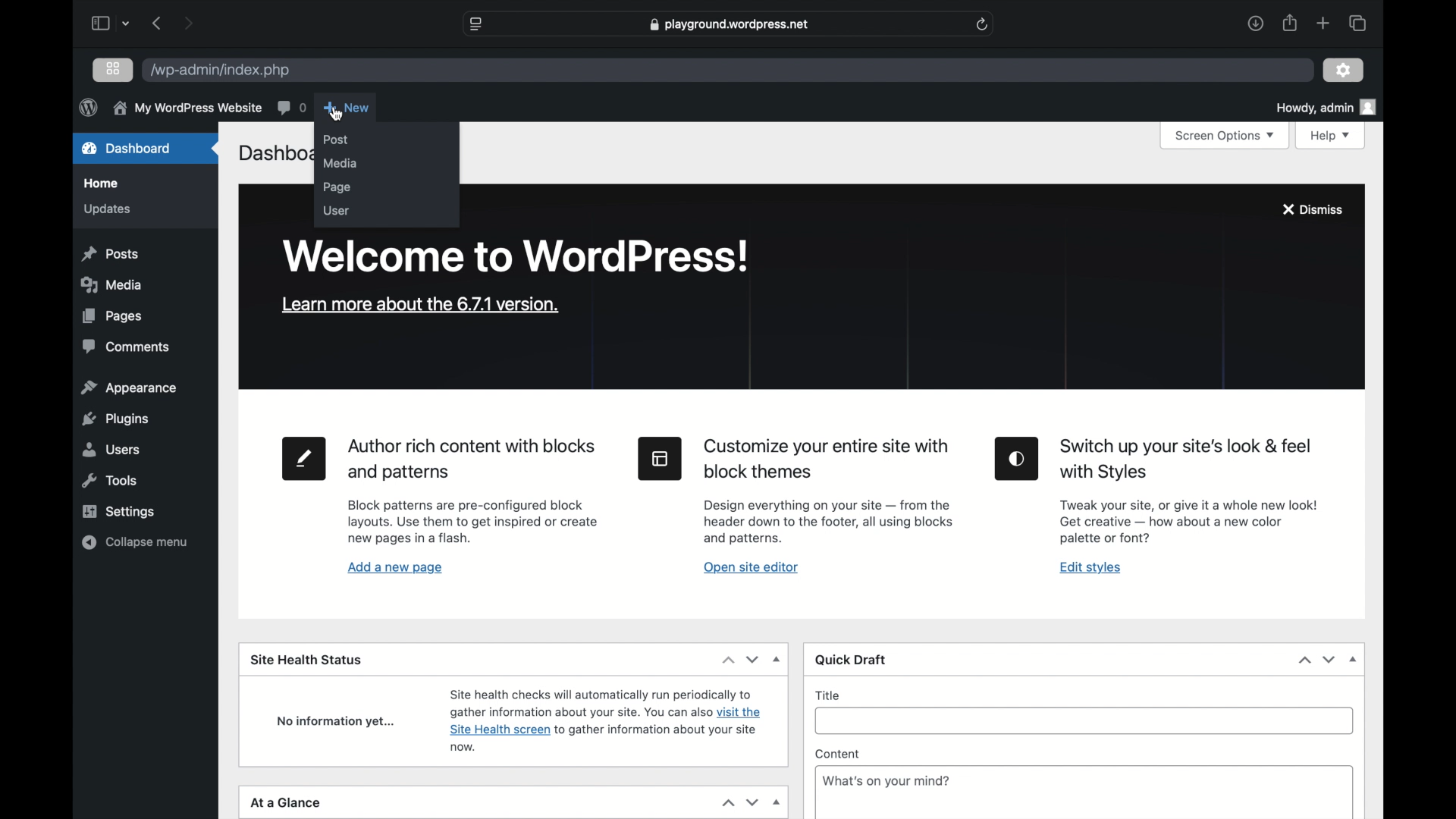 This screenshot has width=1456, height=819. Describe the element at coordinates (777, 803) in the screenshot. I see `dropdown` at that location.